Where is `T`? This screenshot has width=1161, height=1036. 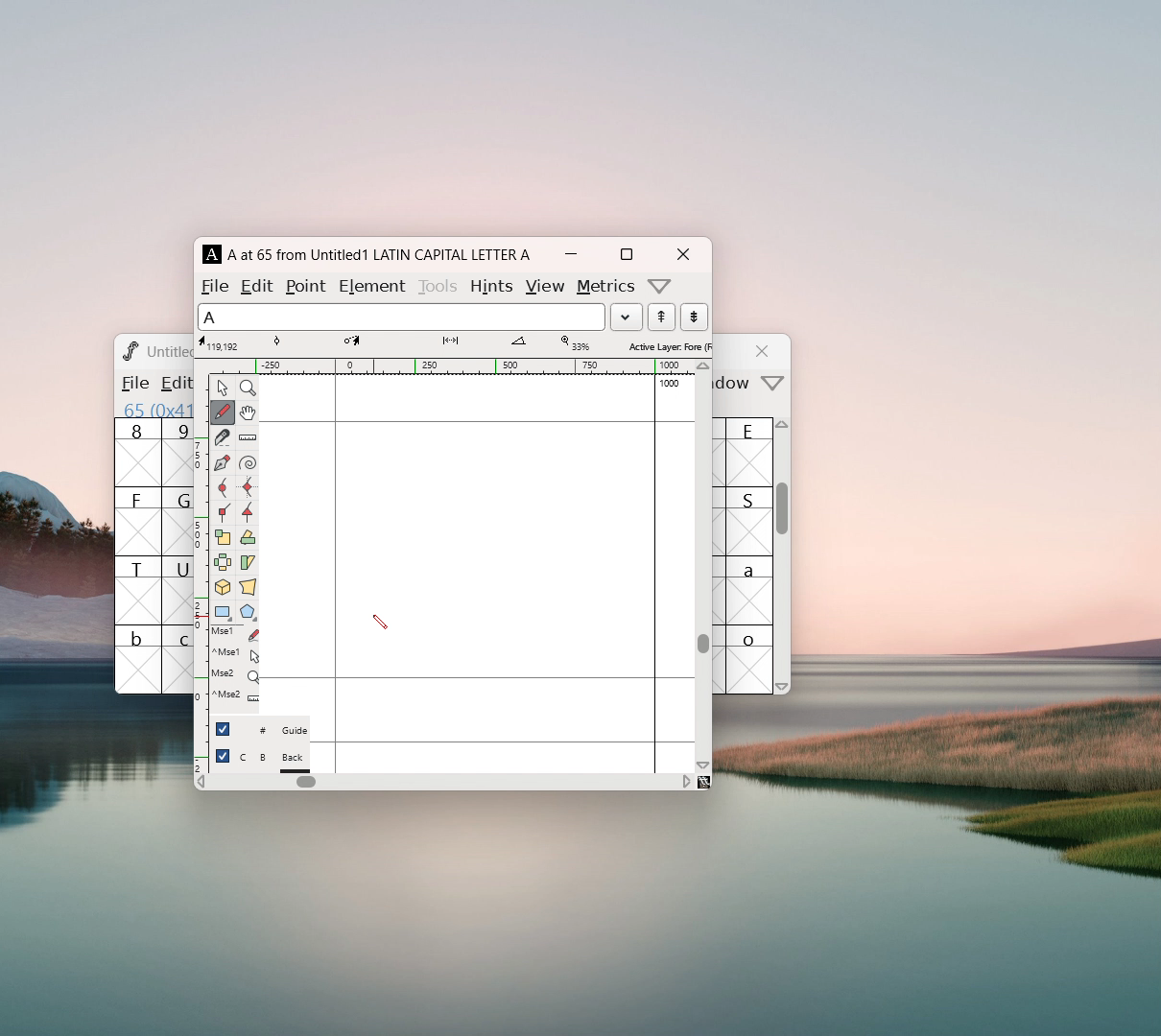 T is located at coordinates (138, 590).